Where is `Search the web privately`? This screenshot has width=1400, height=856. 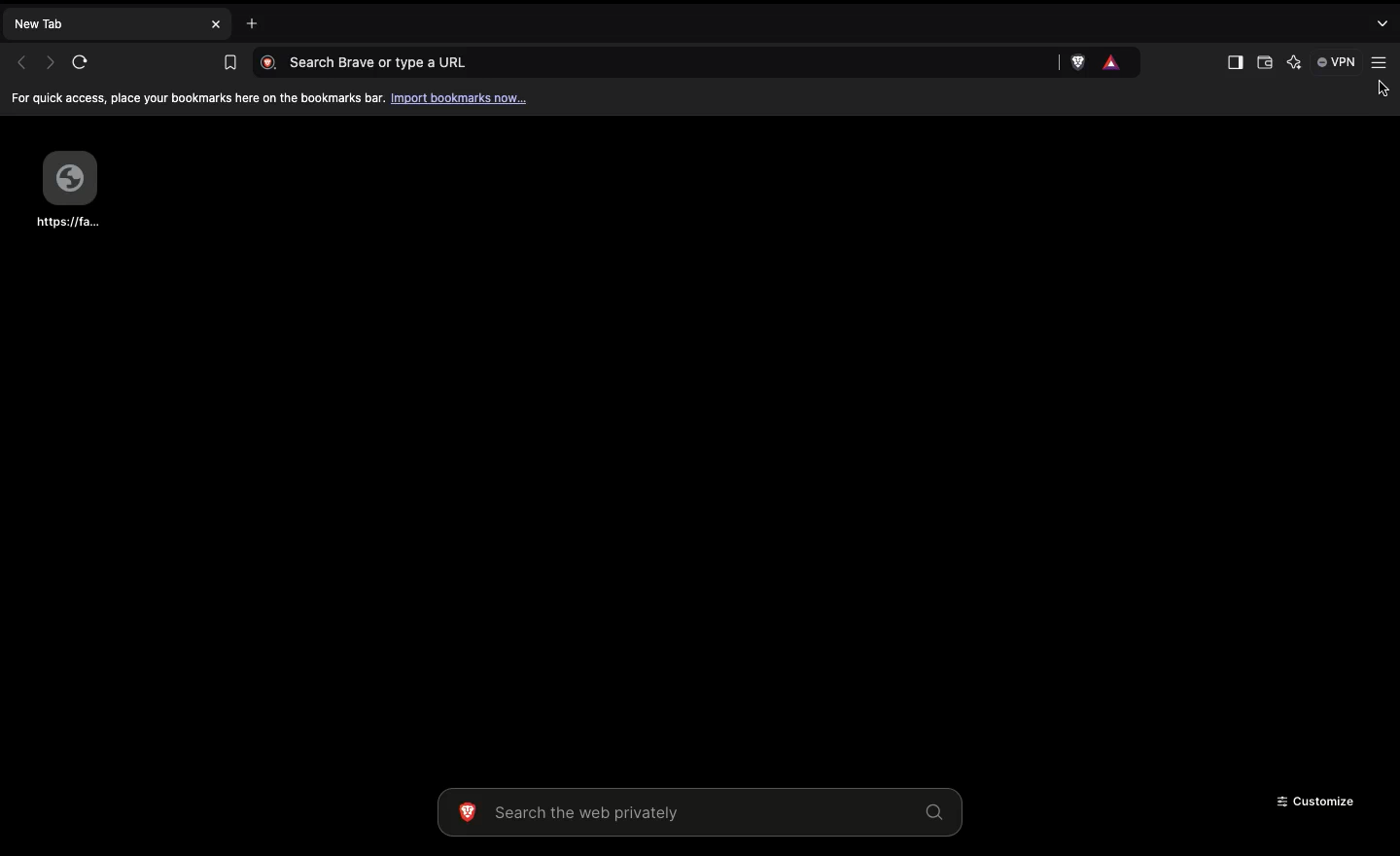
Search the web privately is located at coordinates (693, 812).